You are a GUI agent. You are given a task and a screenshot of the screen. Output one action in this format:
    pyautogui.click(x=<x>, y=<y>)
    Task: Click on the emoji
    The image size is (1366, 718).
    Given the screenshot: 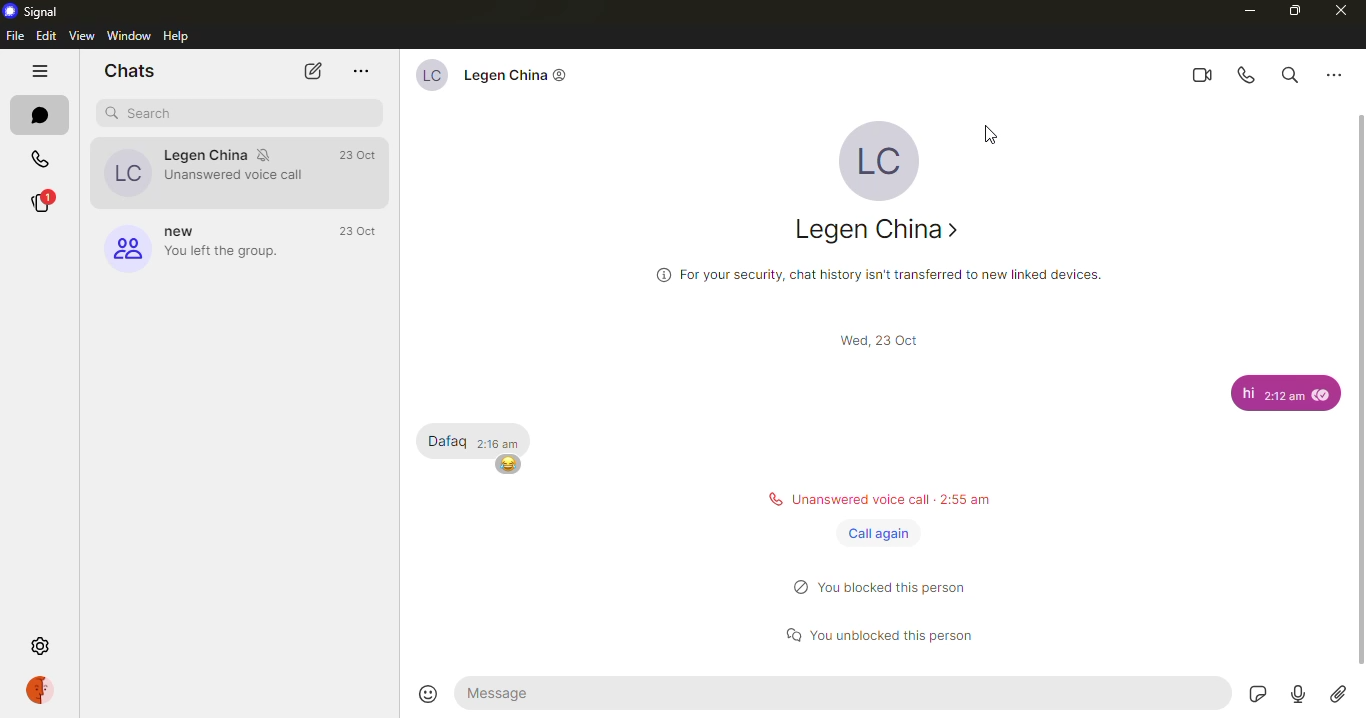 What is the action you would take?
    pyautogui.click(x=430, y=693)
    